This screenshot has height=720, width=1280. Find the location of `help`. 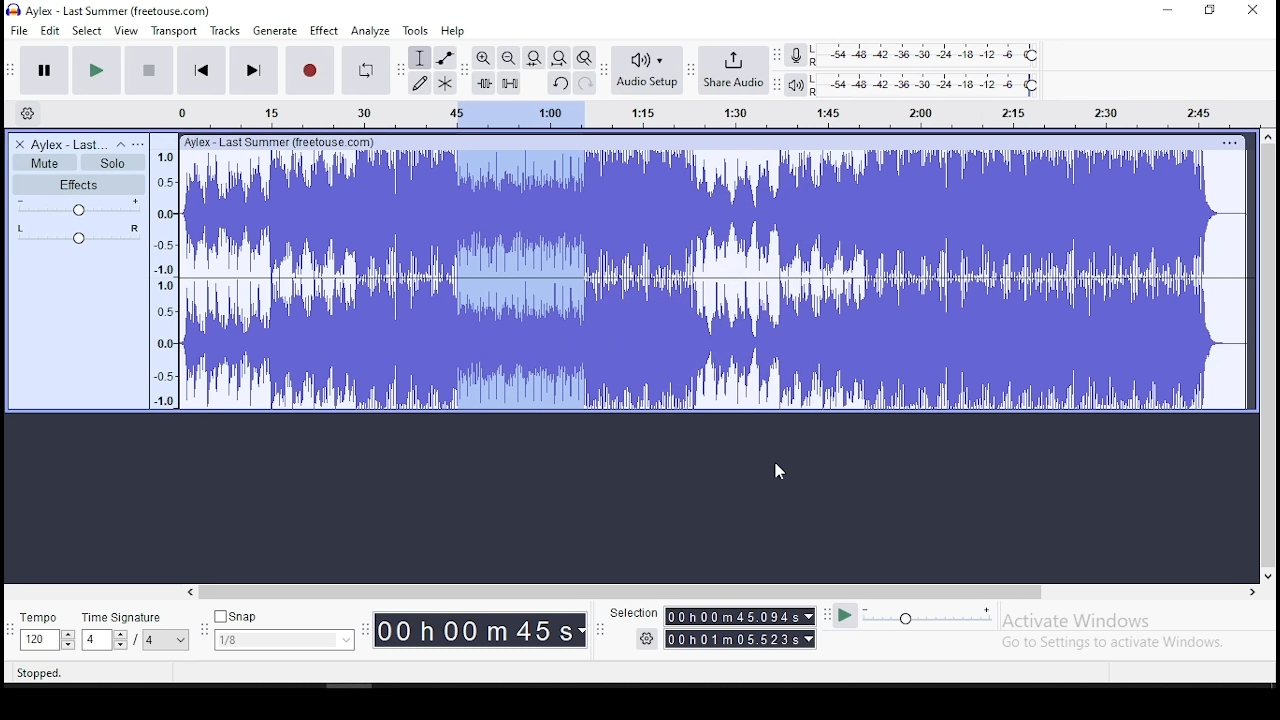

help is located at coordinates (452, 31).